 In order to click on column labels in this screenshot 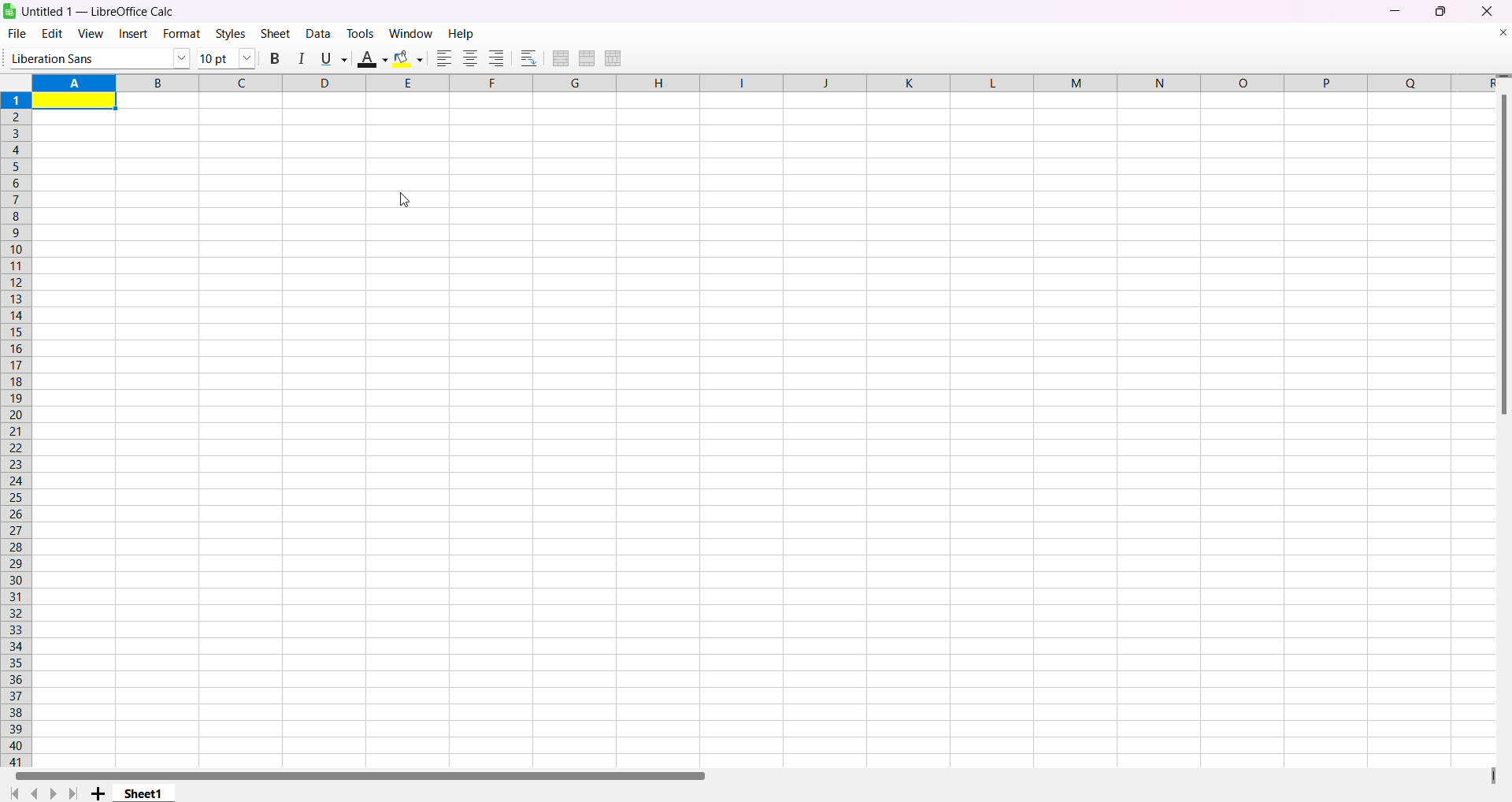, I will do `click(765, 84)`.